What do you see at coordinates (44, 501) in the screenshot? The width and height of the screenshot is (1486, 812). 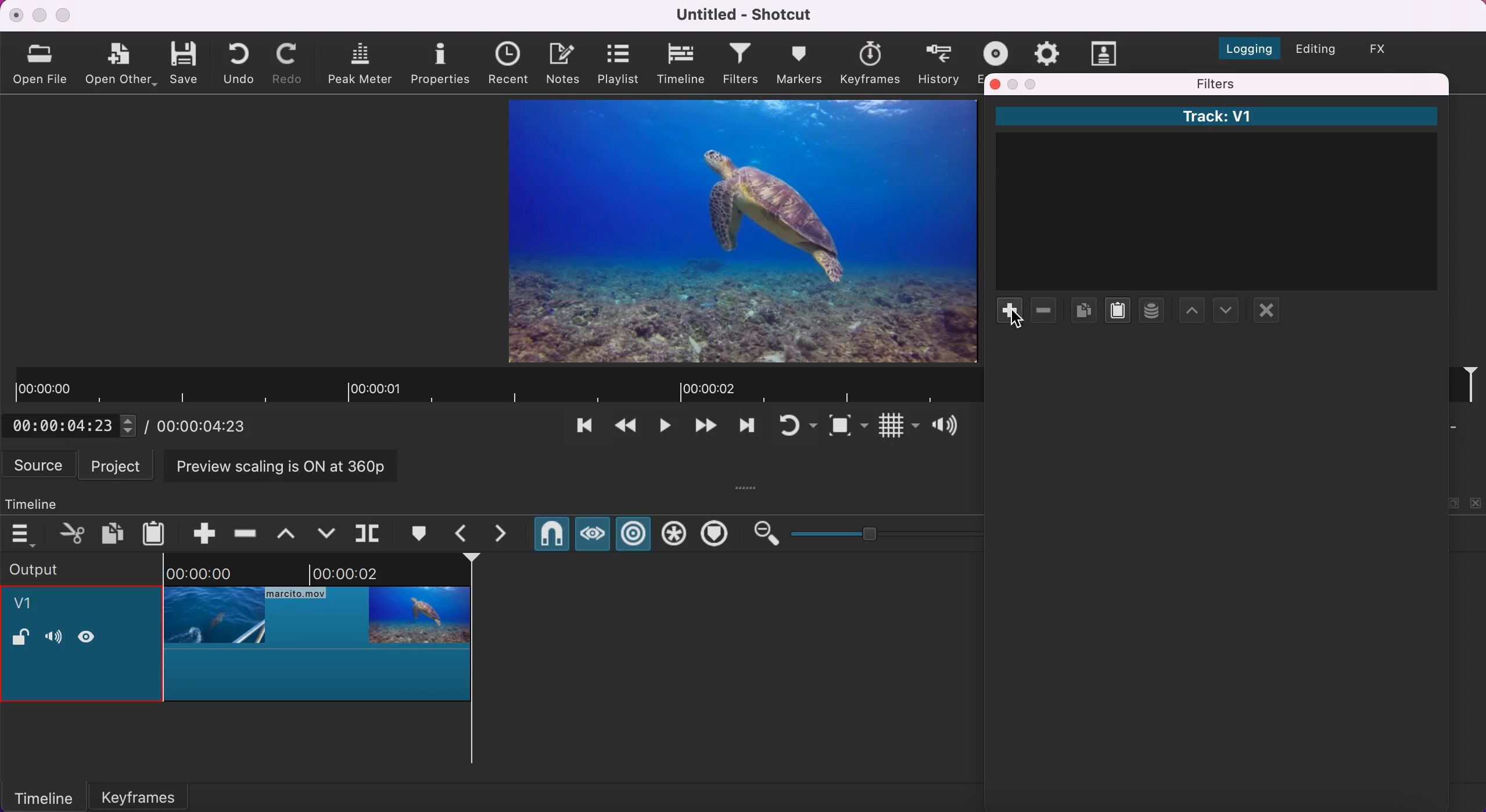 I see `timeline` at bounding box center [44, 501].